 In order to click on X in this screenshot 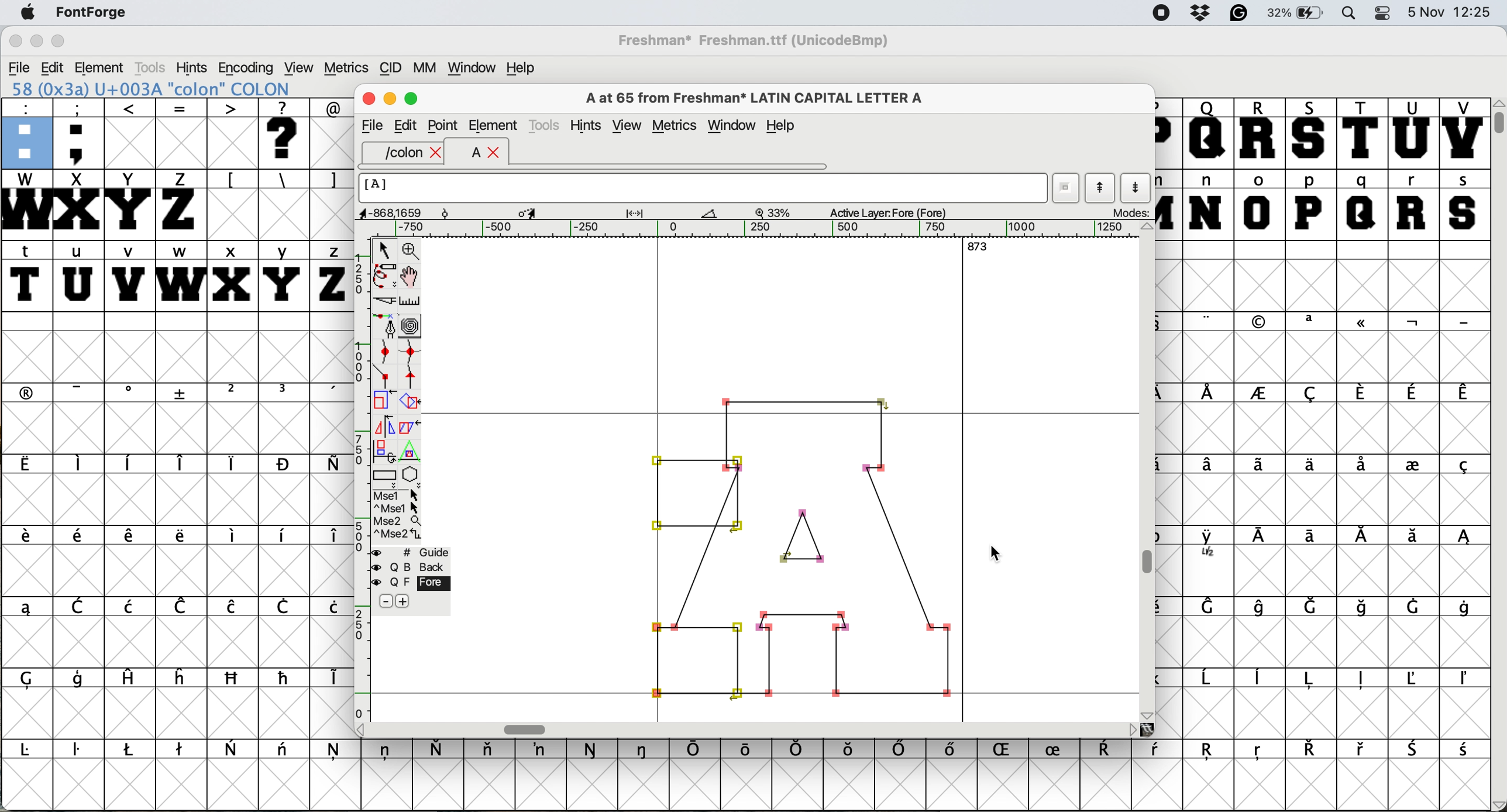, I will do `click(78, 205)`.